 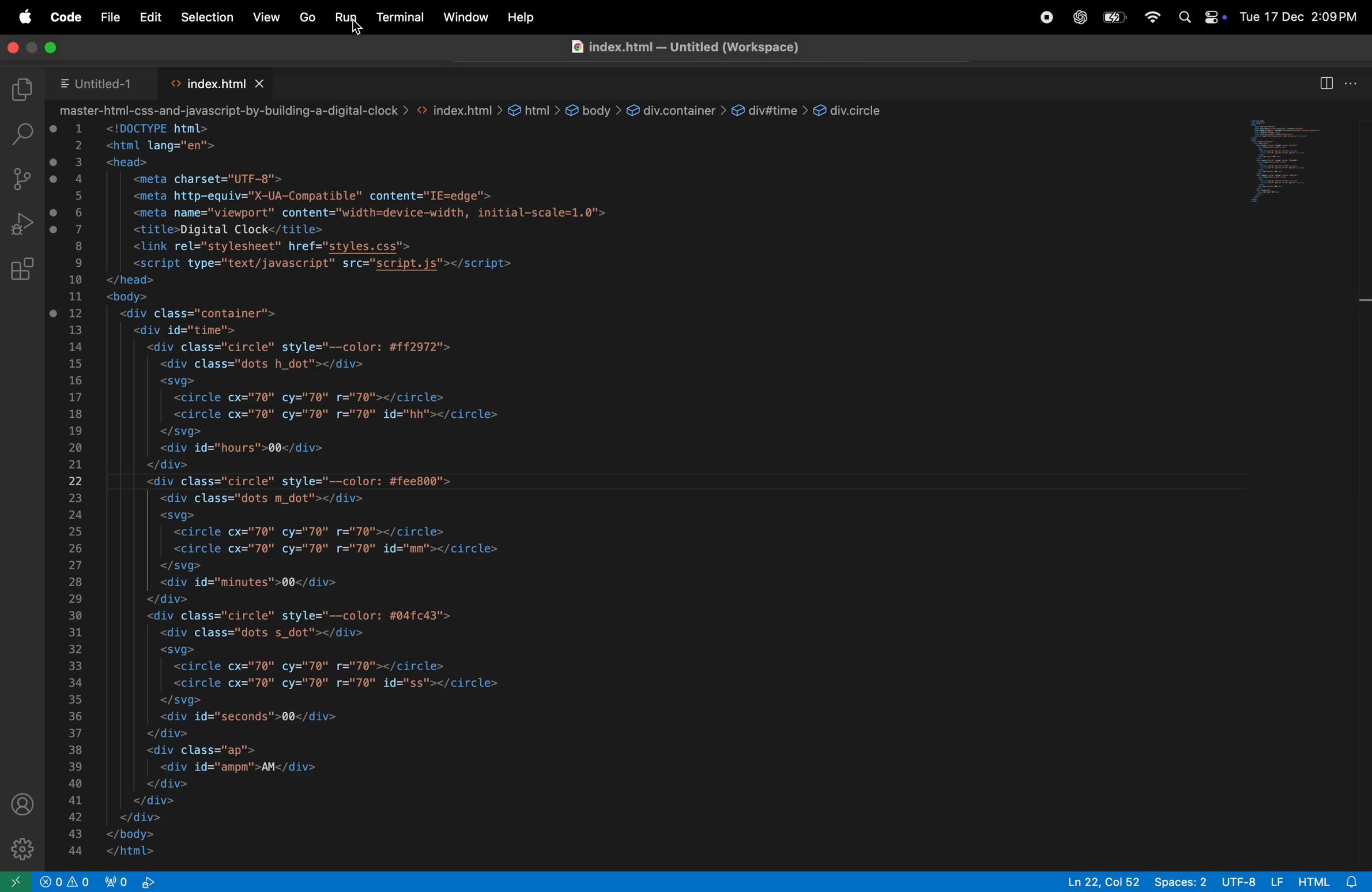 What do you see at coordinates (21, 271) in the screenshot?
I see `extensions` at bounding box center [21, 271].